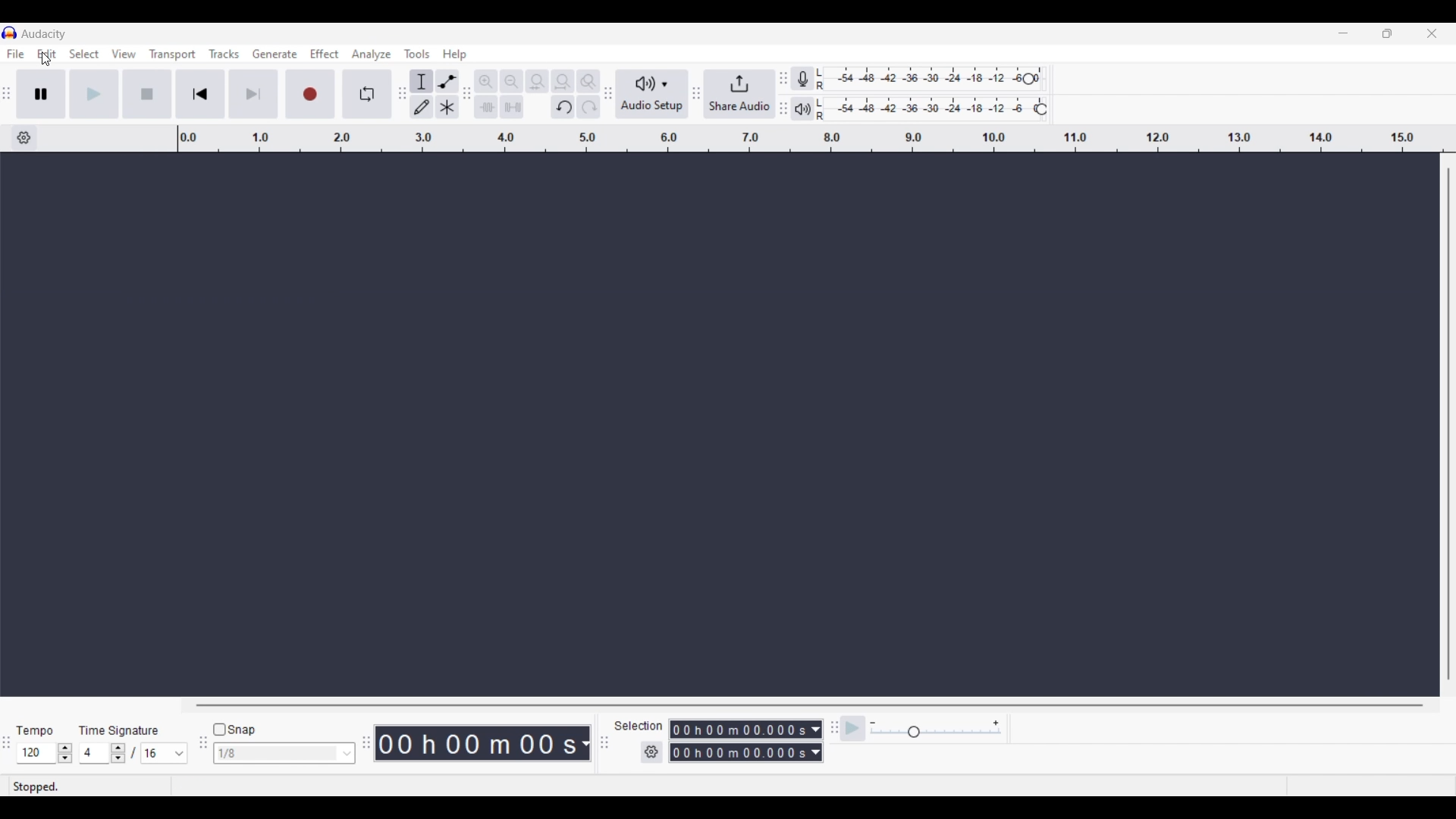 The height and width of the screenshot is (819, 1456). I want to click on Cursor clicking on Edit menu, so click(46, 59).